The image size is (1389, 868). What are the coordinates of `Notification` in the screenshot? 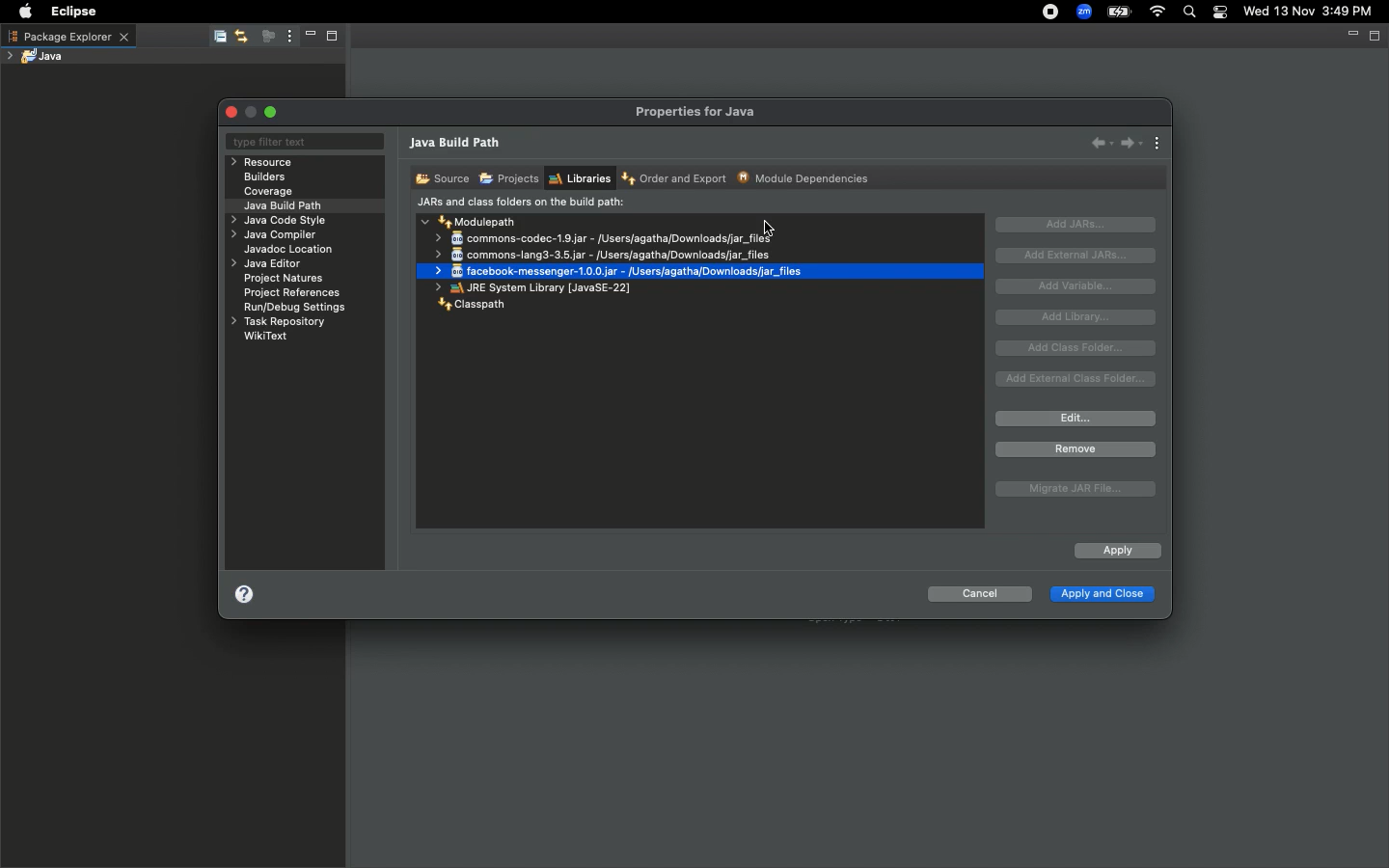 It's located at (1222, 13).